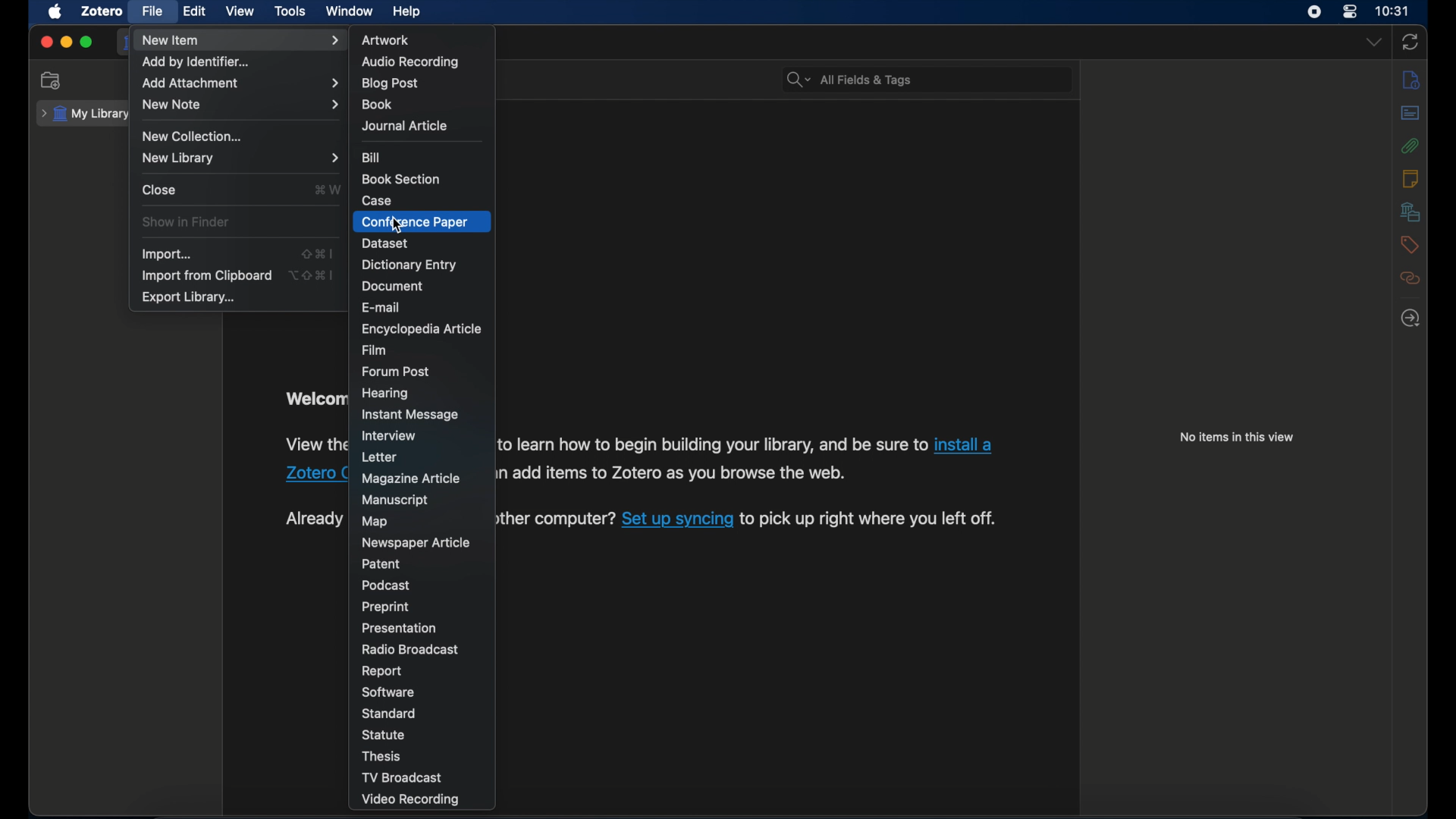  Describe the element at coordinates (379, 307) in the screenshot. I see `e-mail` at that location.